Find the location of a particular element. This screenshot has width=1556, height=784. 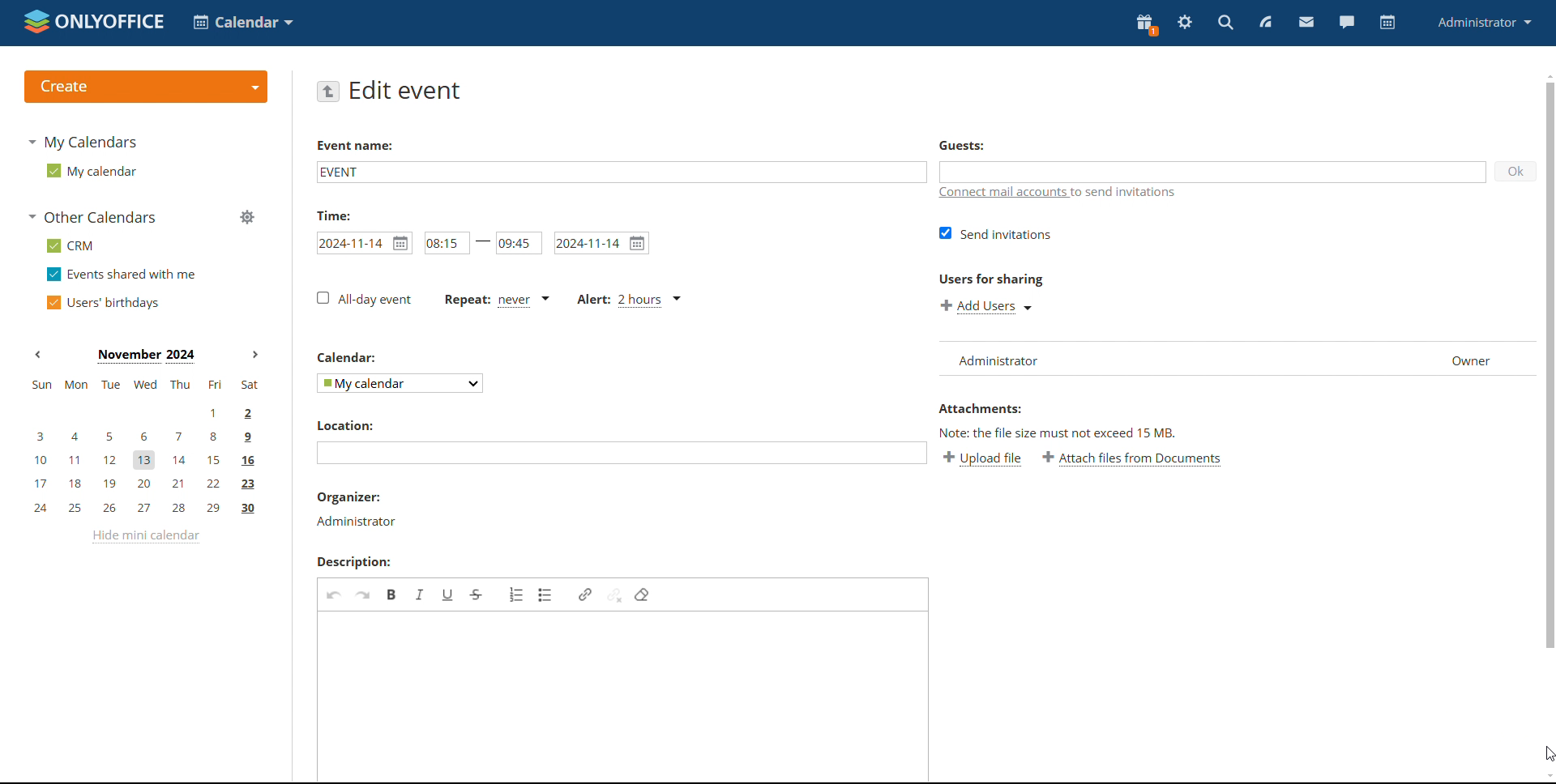

select application is located at coordinates (242, 22).